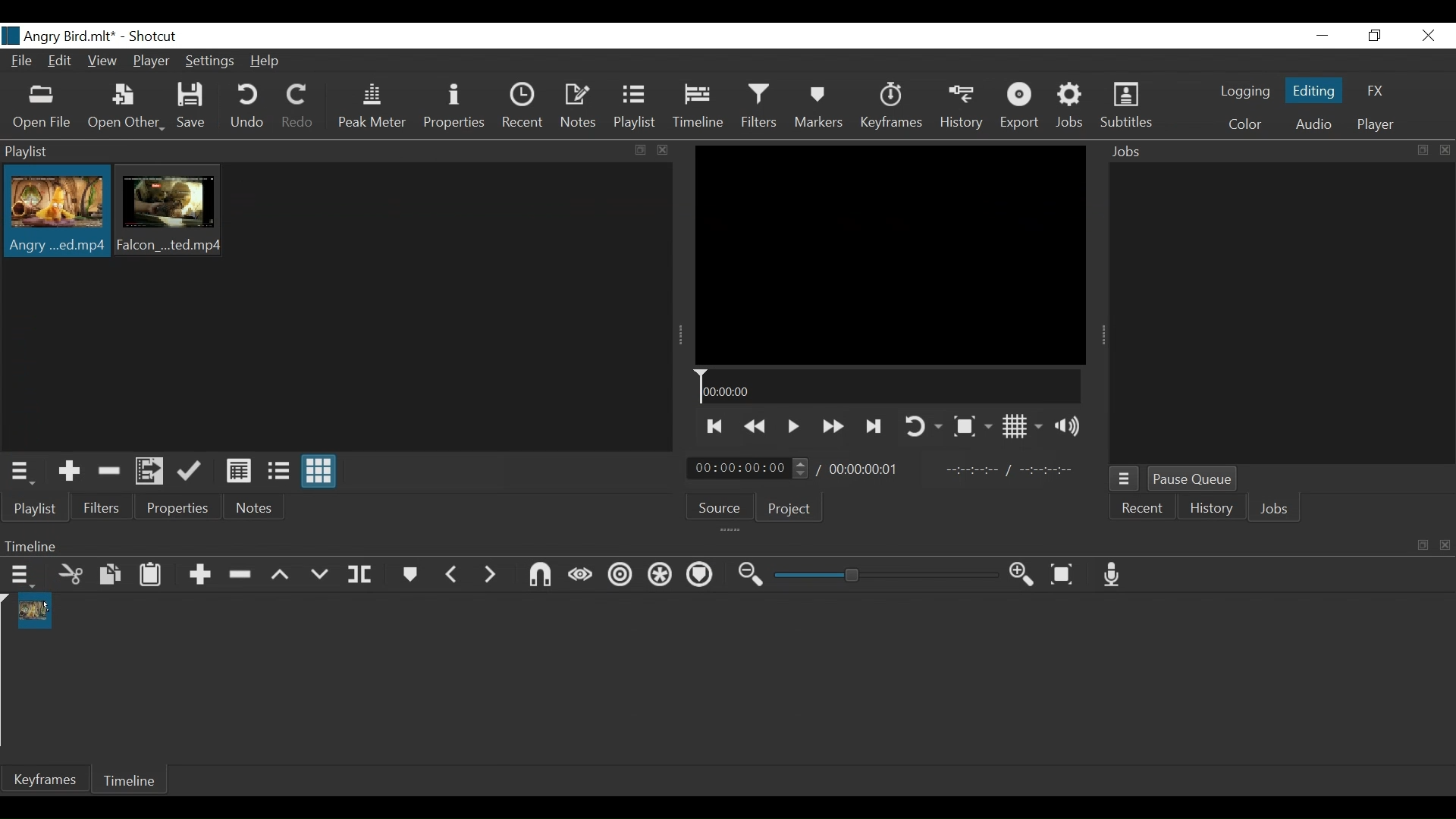 This screenshot has height=819, width=1456. Describe the element at coordinates (194, 107) in the screenshot. I see `Save` at that location.